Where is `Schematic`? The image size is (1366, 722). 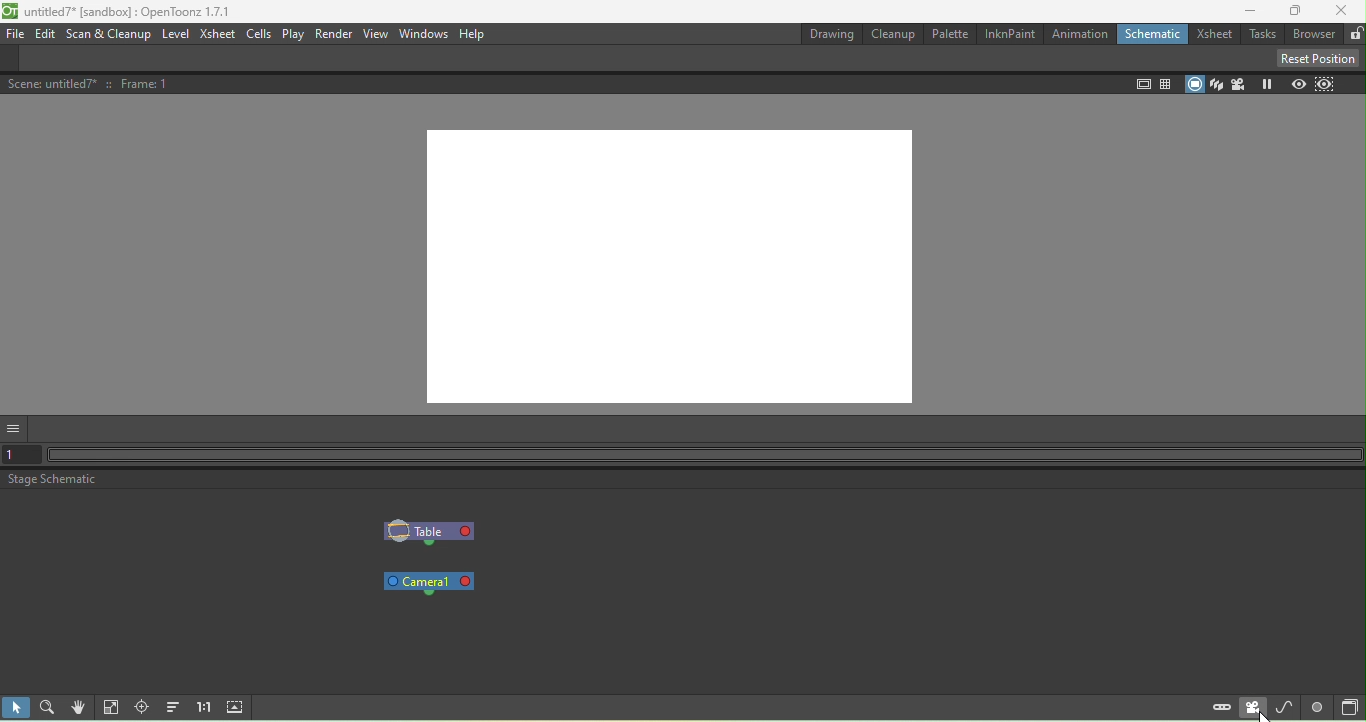
Schematic is located at coordinates (1153, 35).